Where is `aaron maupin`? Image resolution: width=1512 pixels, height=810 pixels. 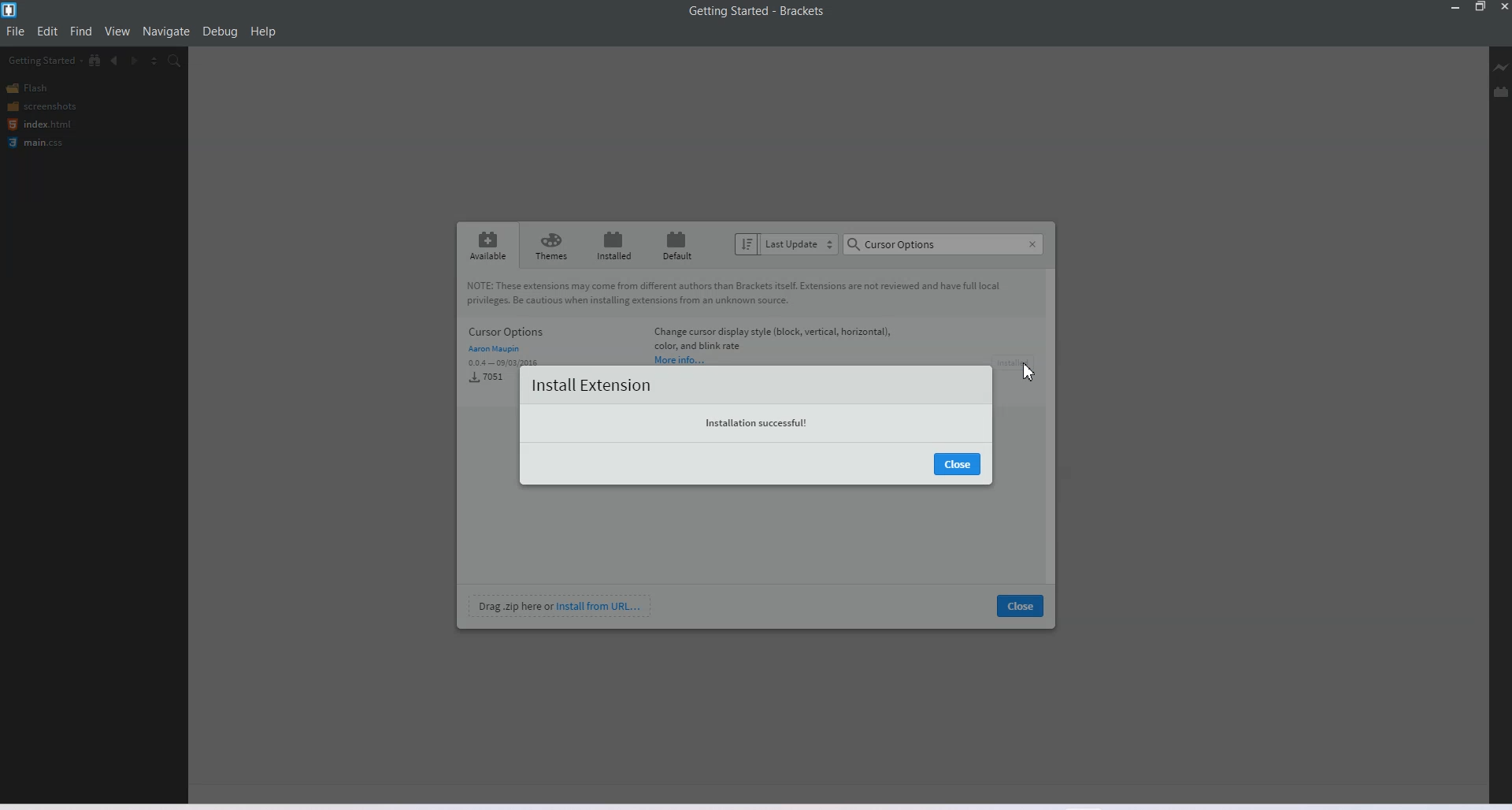
aaron maupin is located at coordinates (494, 350).